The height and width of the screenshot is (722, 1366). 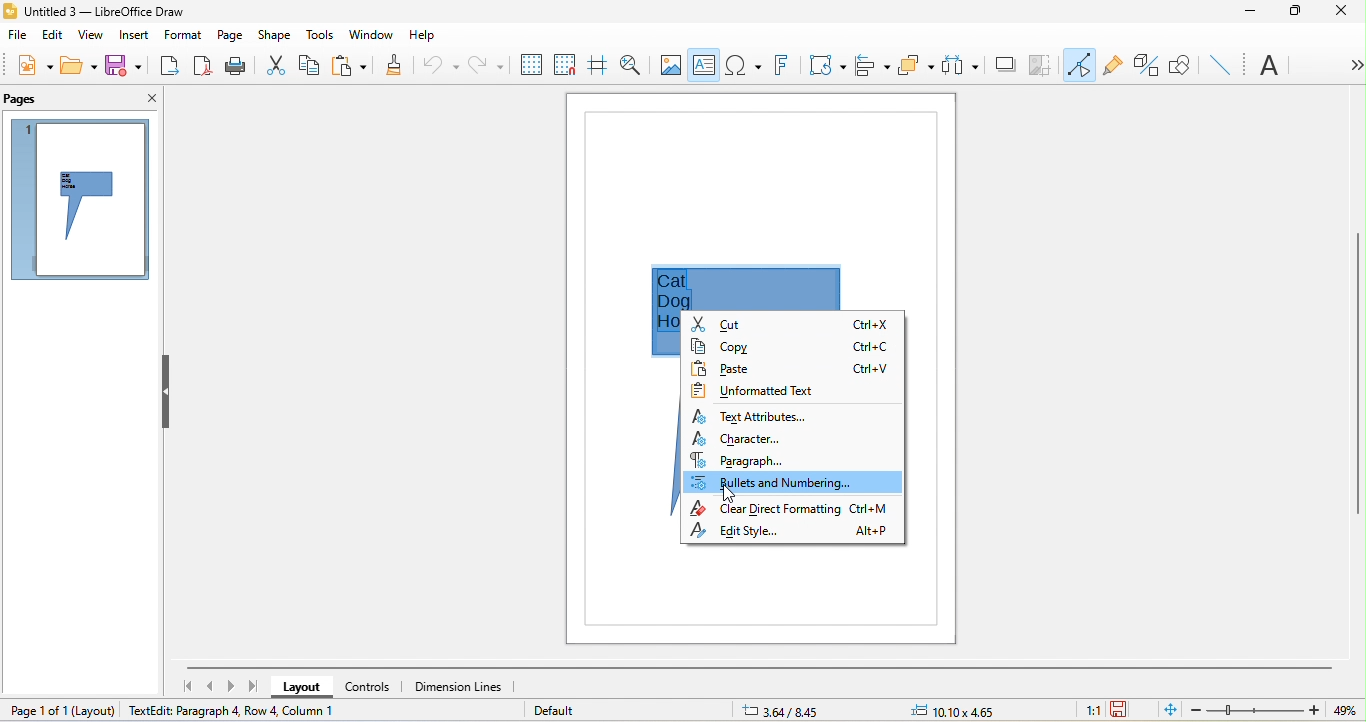 I want to click on cut, so click(x=794, y=325).